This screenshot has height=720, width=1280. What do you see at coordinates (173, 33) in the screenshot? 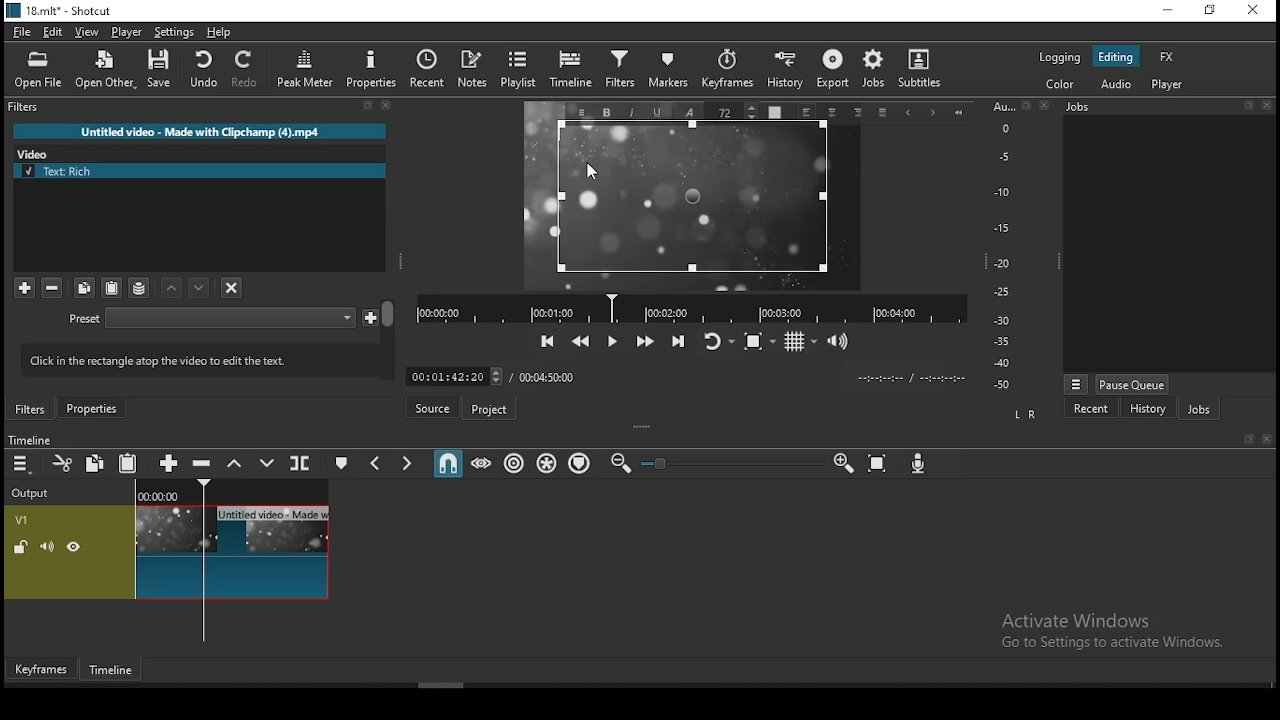
I see `settings` at bounding box center [173, 33].